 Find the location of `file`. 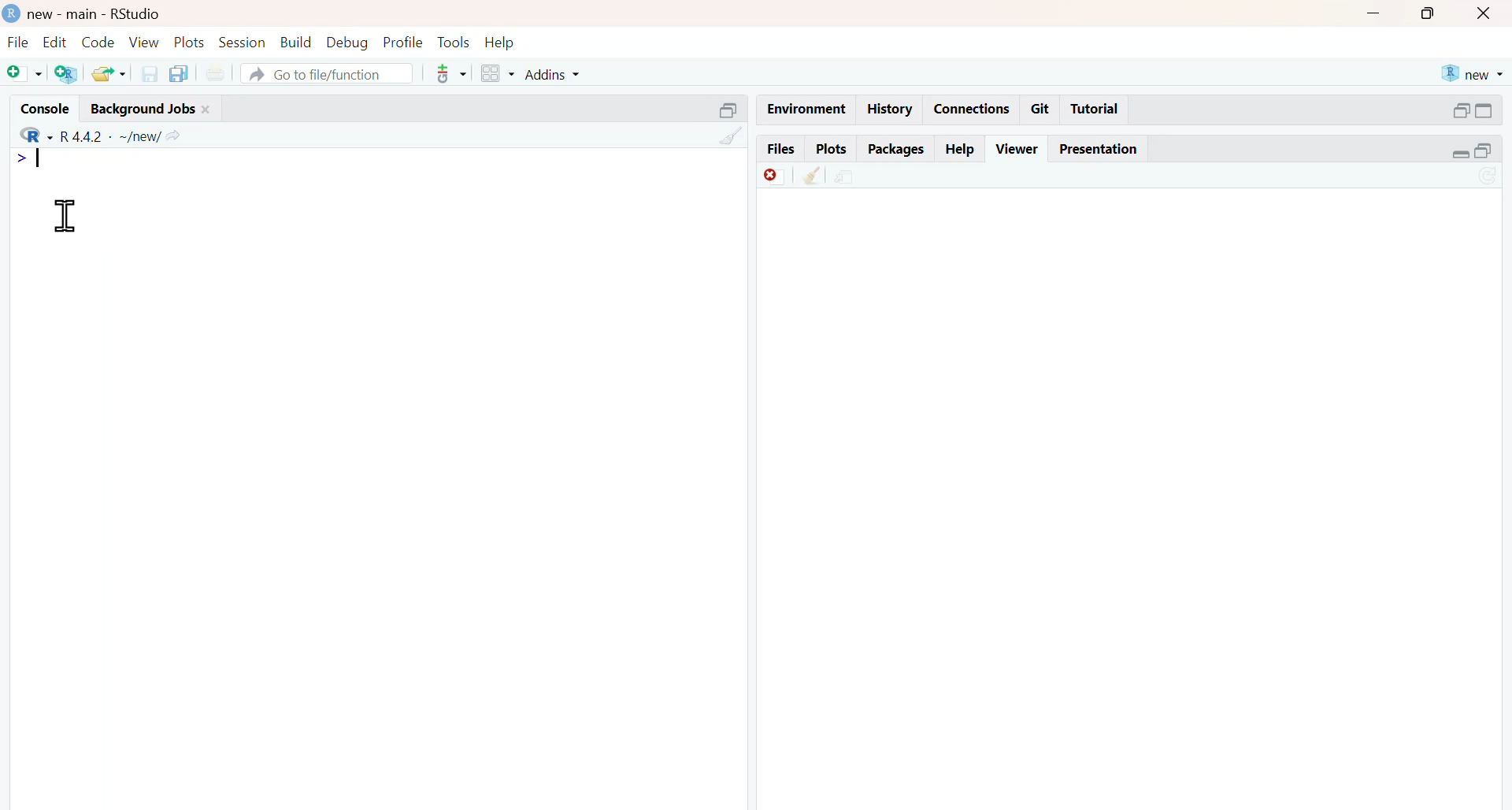

file is located at coordinates (17, 42).